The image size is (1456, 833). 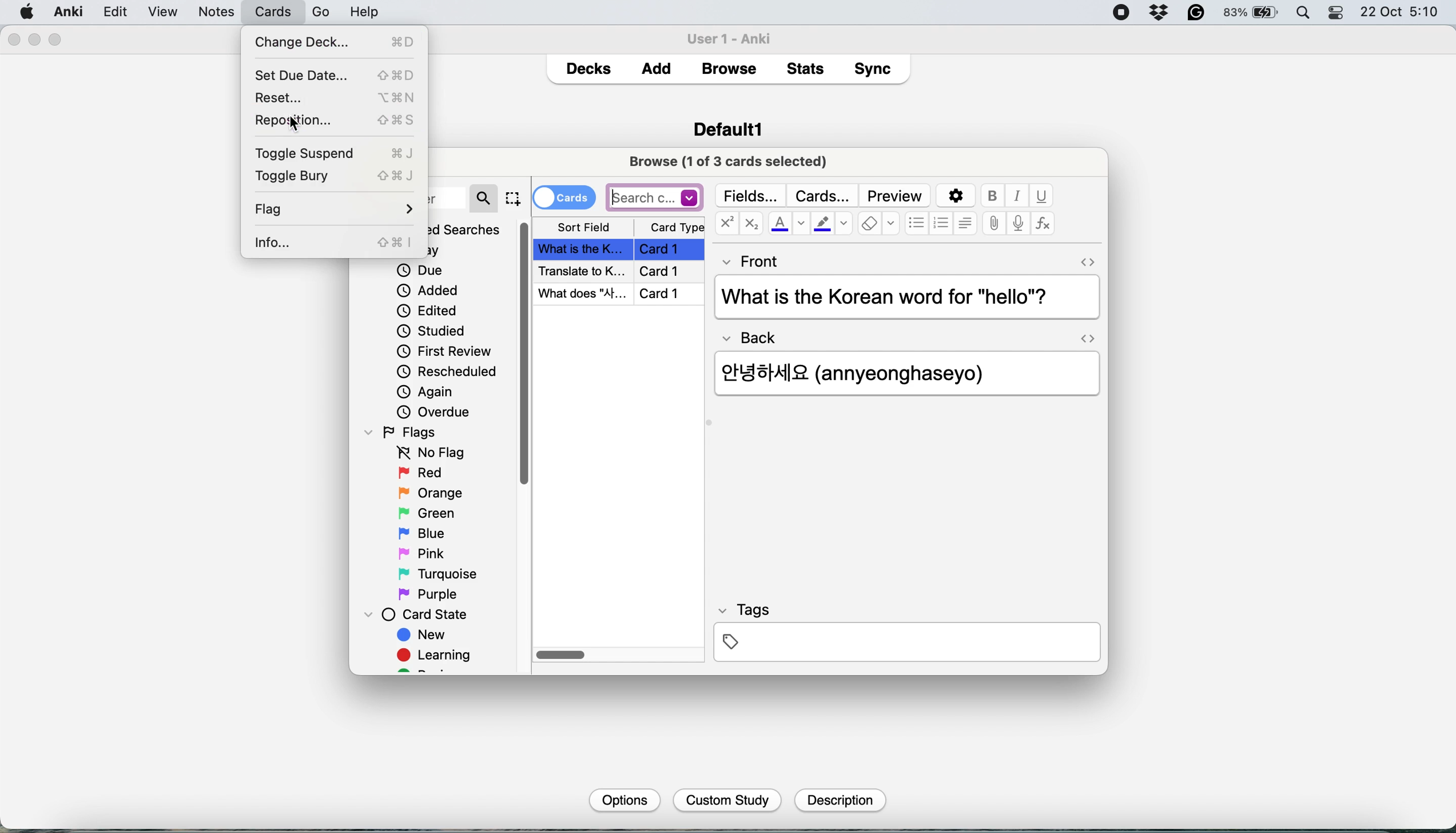 What do you see at coordinates (584, 228) in the screenshot?
I see `sort field` at bounding box center [584, 228].